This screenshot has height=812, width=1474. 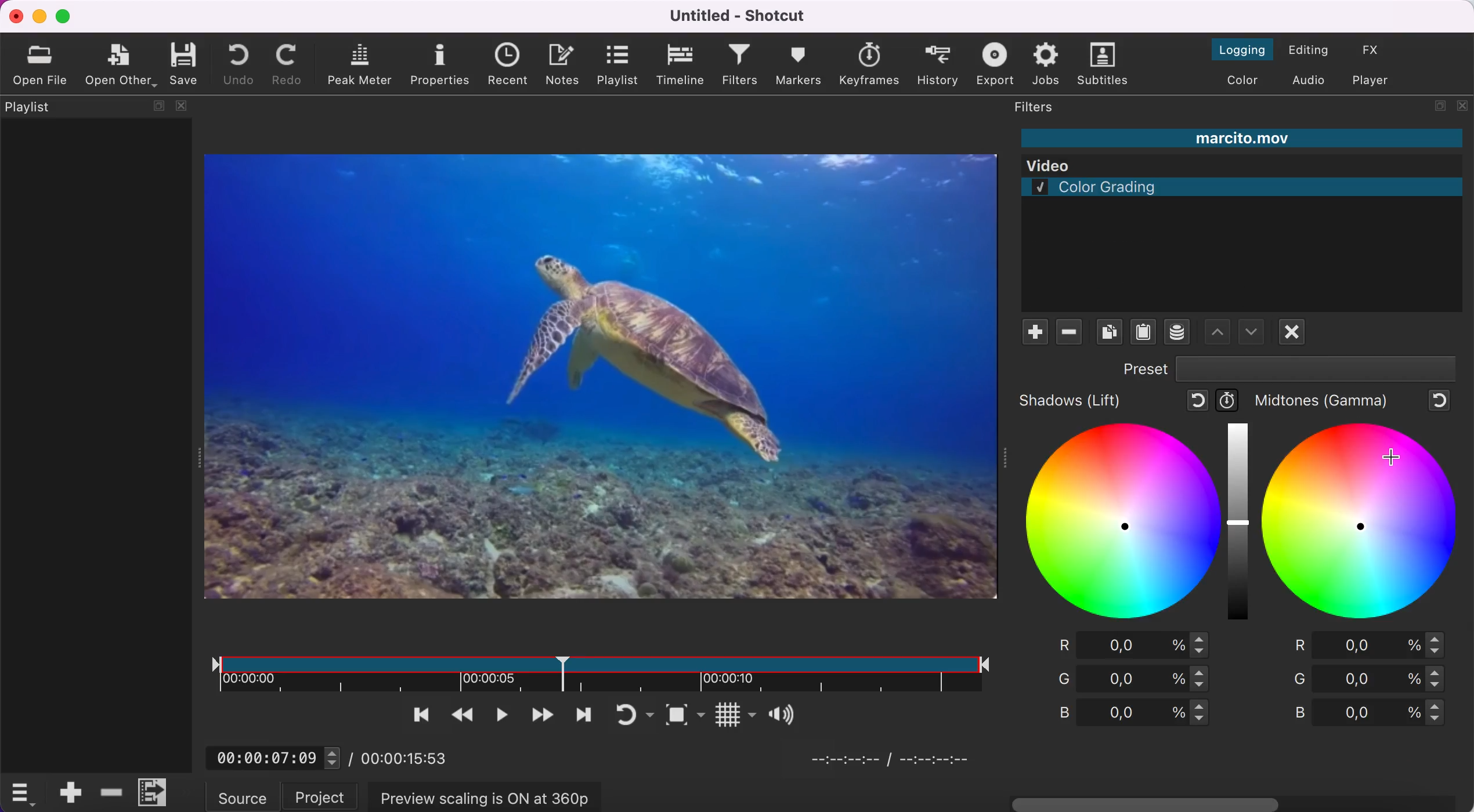 What do you see at coordinates (868, 61) in the screenshot?
I see `keyframes` at bounding box center [868, 61].